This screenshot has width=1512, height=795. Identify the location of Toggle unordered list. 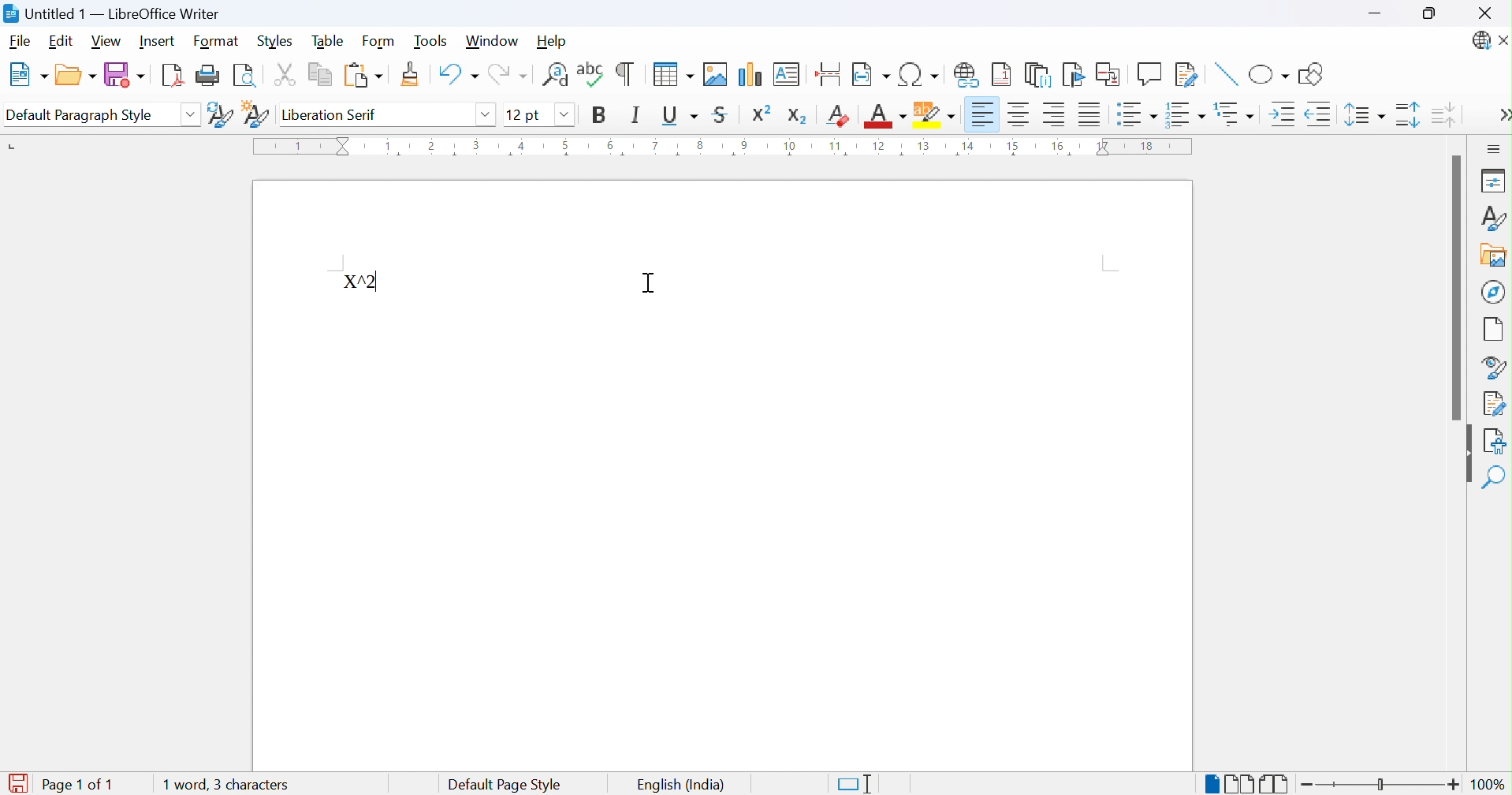
(1138, 117).